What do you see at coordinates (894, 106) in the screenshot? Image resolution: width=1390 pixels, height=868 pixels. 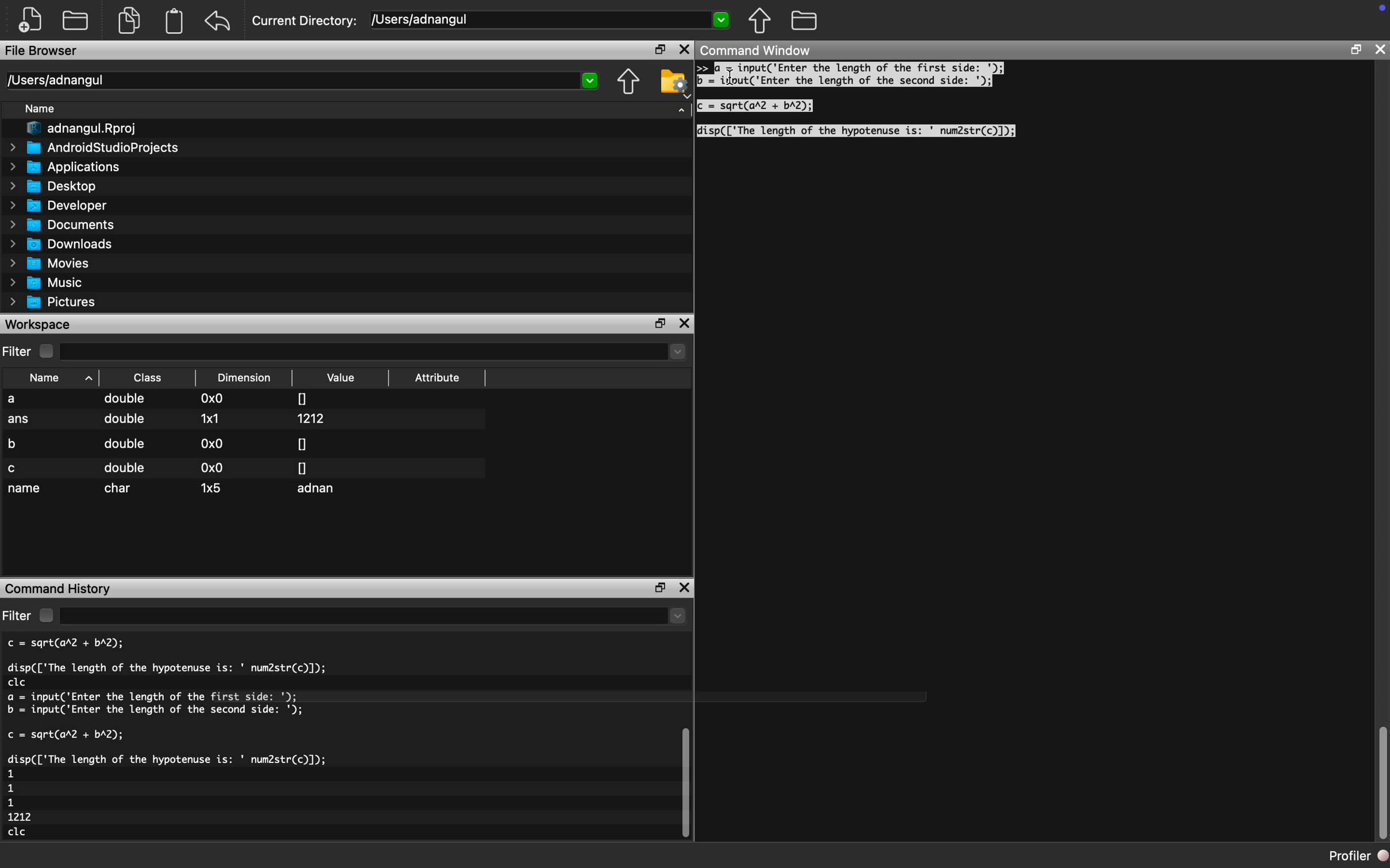 I see `a = input('Enter the length of the first side: ');
= ijoutC Enter the length of the second side: ');

= sqrt(ar2 + bA2);

isp(['The length of the hypotenuse is: ' num2str(c)]);` at bounding box center [894, 106].